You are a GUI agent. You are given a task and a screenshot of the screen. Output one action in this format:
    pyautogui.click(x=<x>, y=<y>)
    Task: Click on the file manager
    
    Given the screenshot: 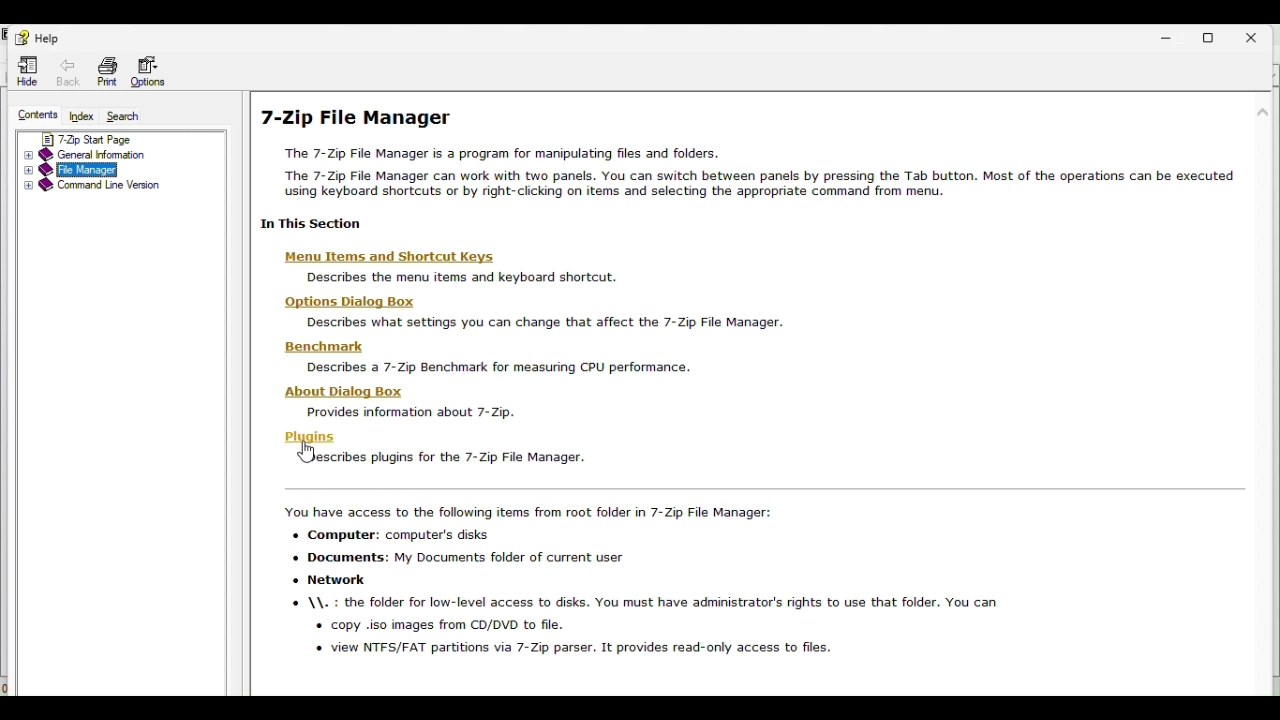 What is the action you would take?
    pyautogui.click(x=119, y=171)
    